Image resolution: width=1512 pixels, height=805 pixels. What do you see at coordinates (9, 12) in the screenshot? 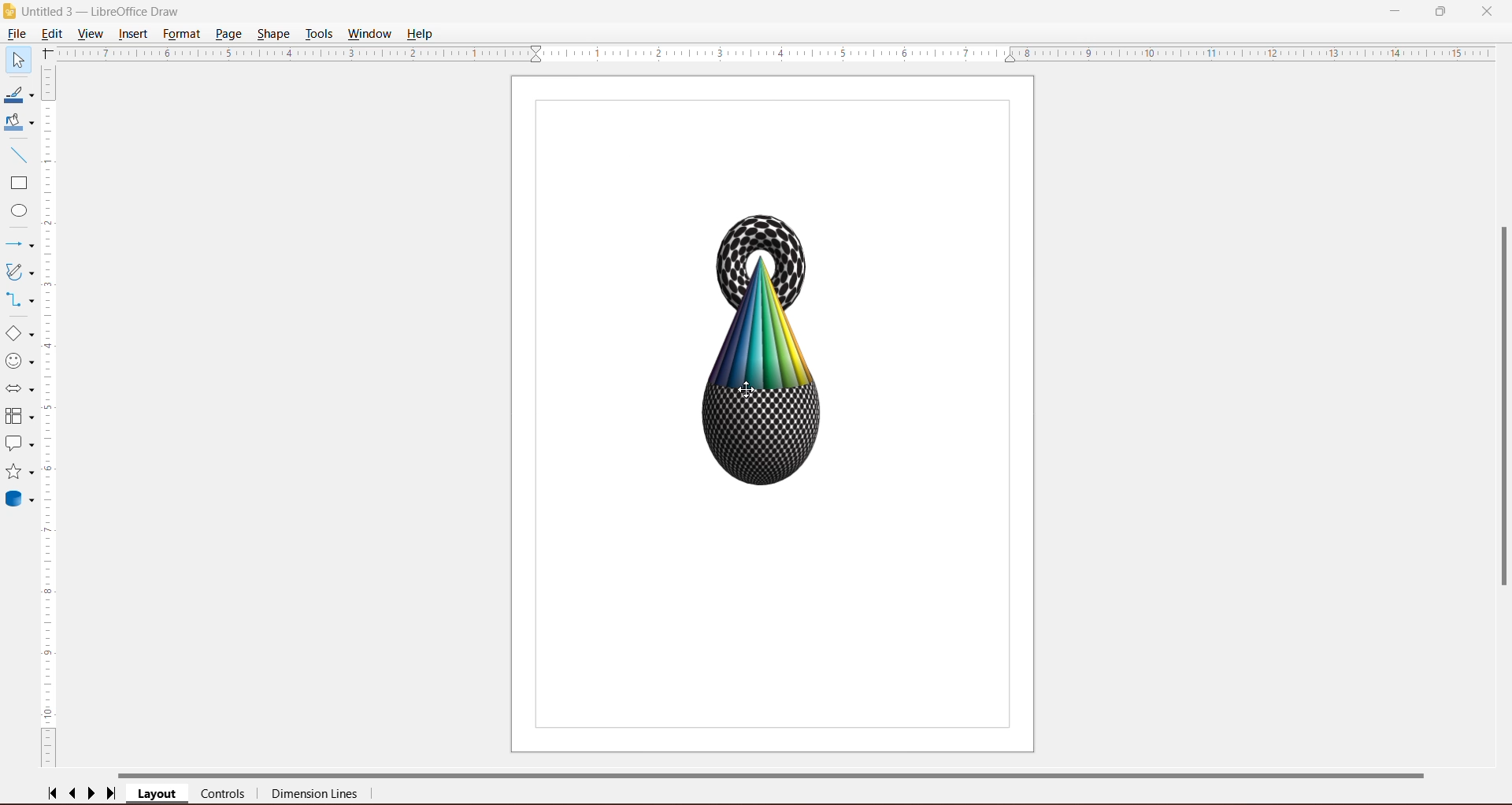
I see `Application Logo` at bounding box center [9, 12].